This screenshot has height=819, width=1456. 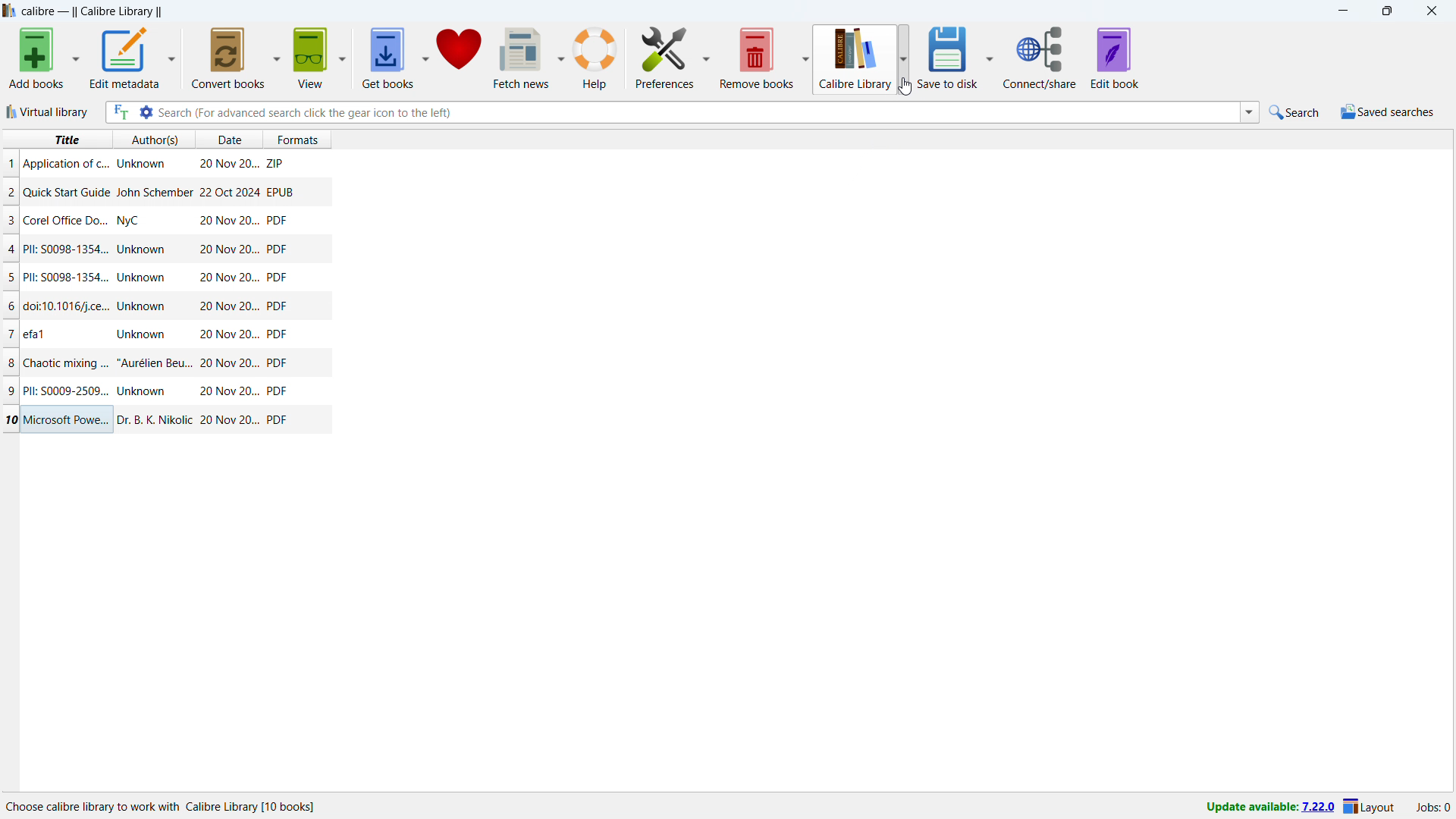 What do you see at coordinates (65, 140) in the screenshot?
I see `title` at bounding box center [65, 140].